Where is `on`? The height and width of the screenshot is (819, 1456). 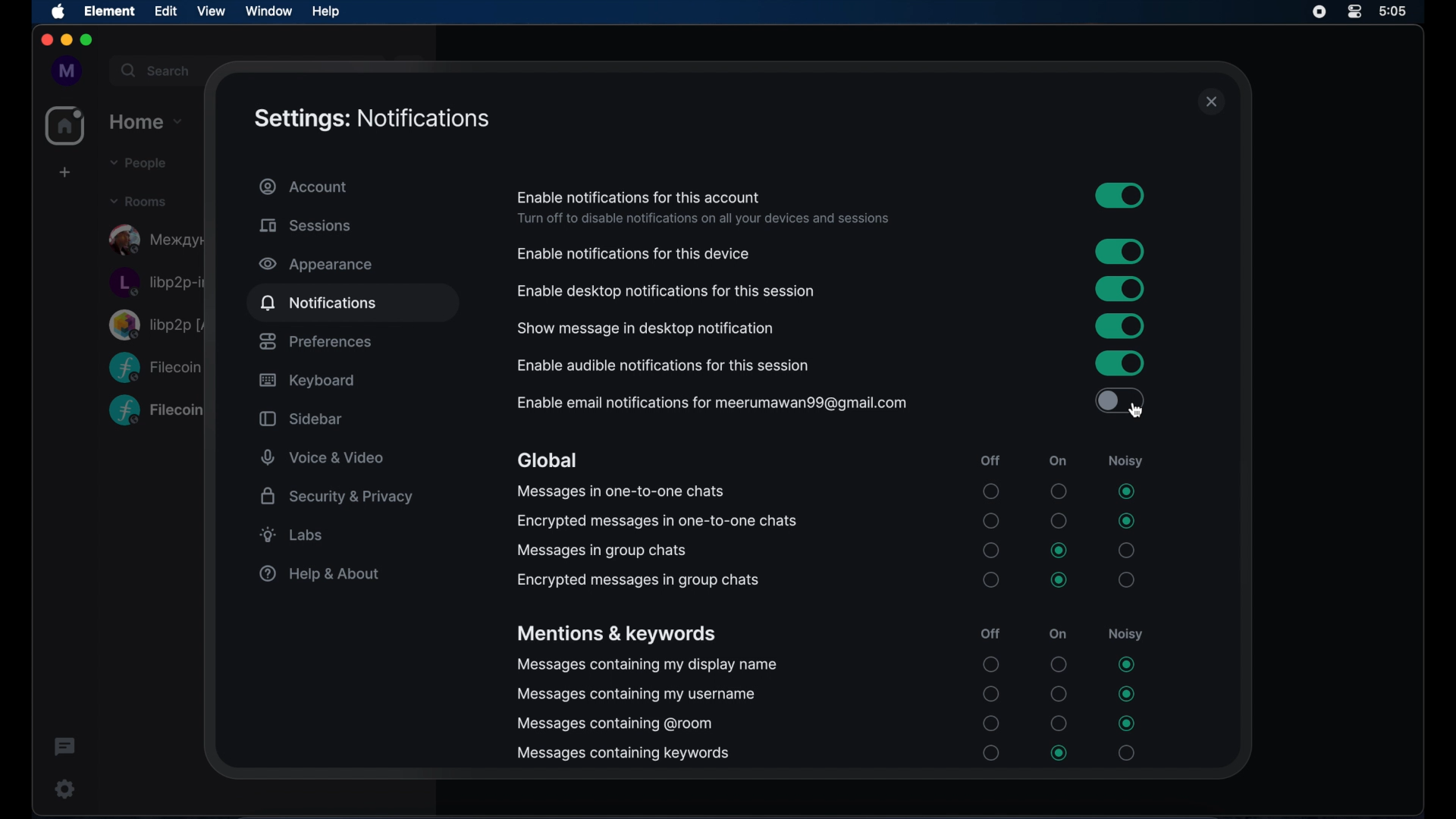 on is located at coordinates (1058, 461).